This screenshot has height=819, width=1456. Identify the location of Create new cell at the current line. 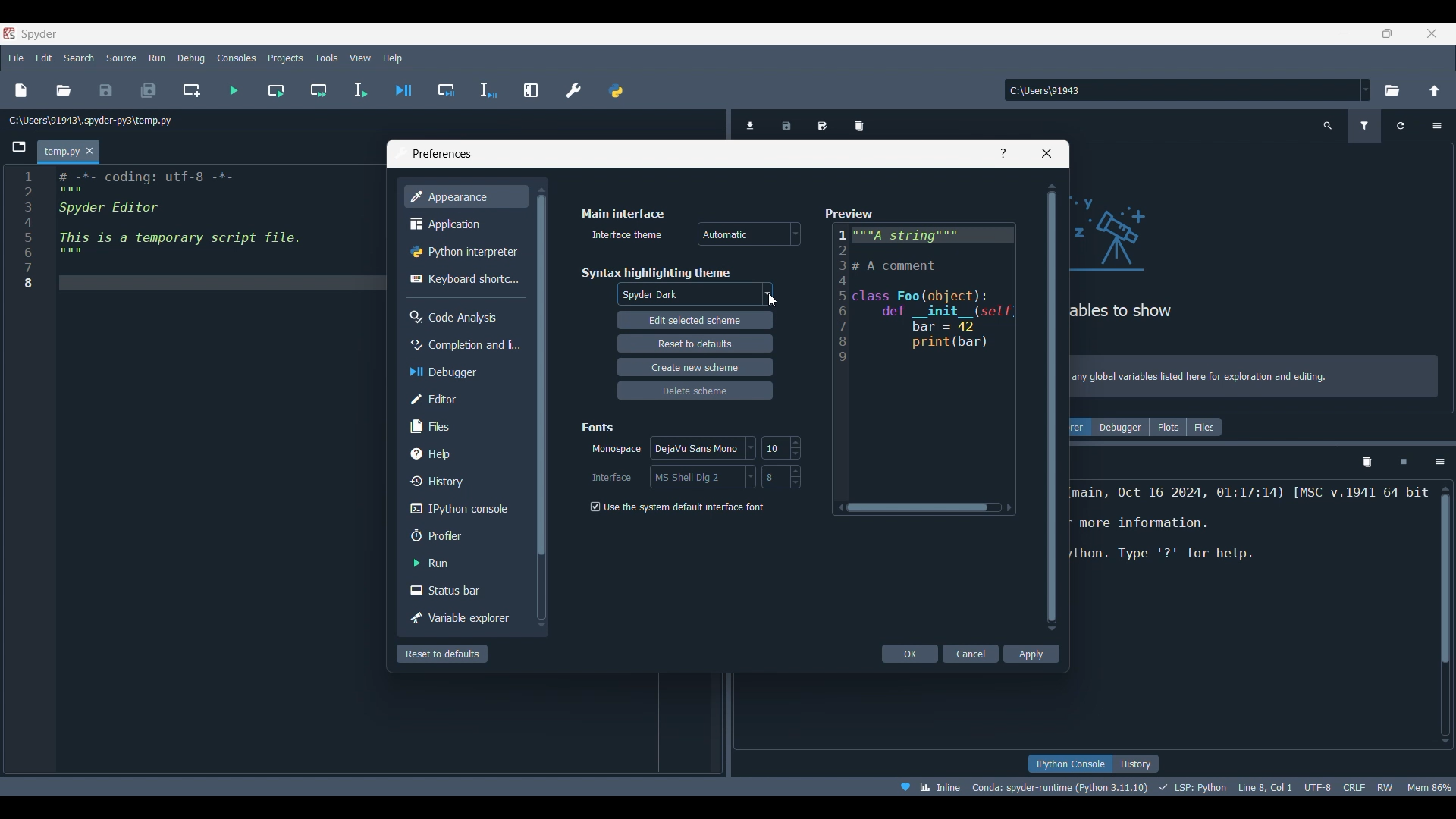
(192, 90).